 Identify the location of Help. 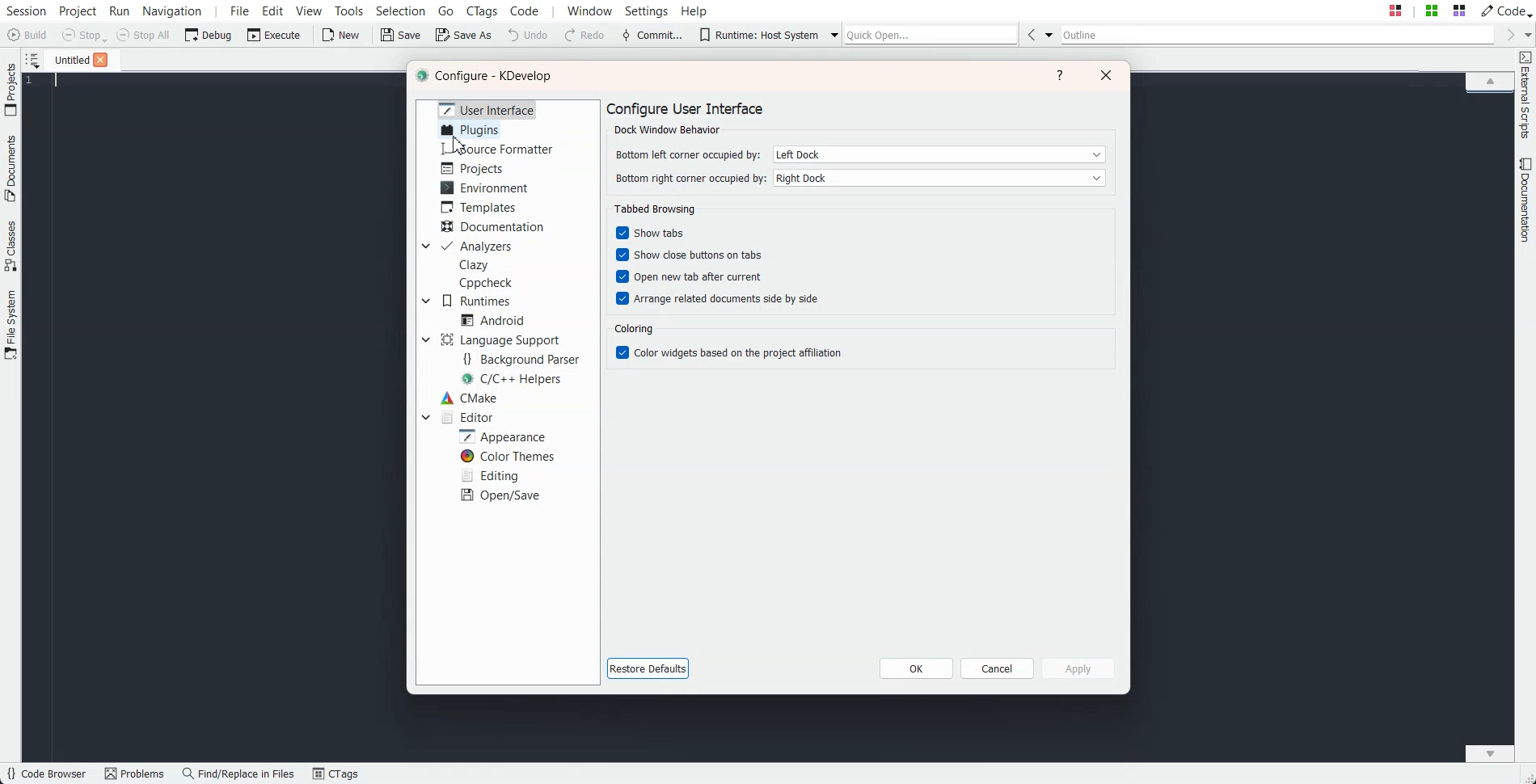
(1061, 75).